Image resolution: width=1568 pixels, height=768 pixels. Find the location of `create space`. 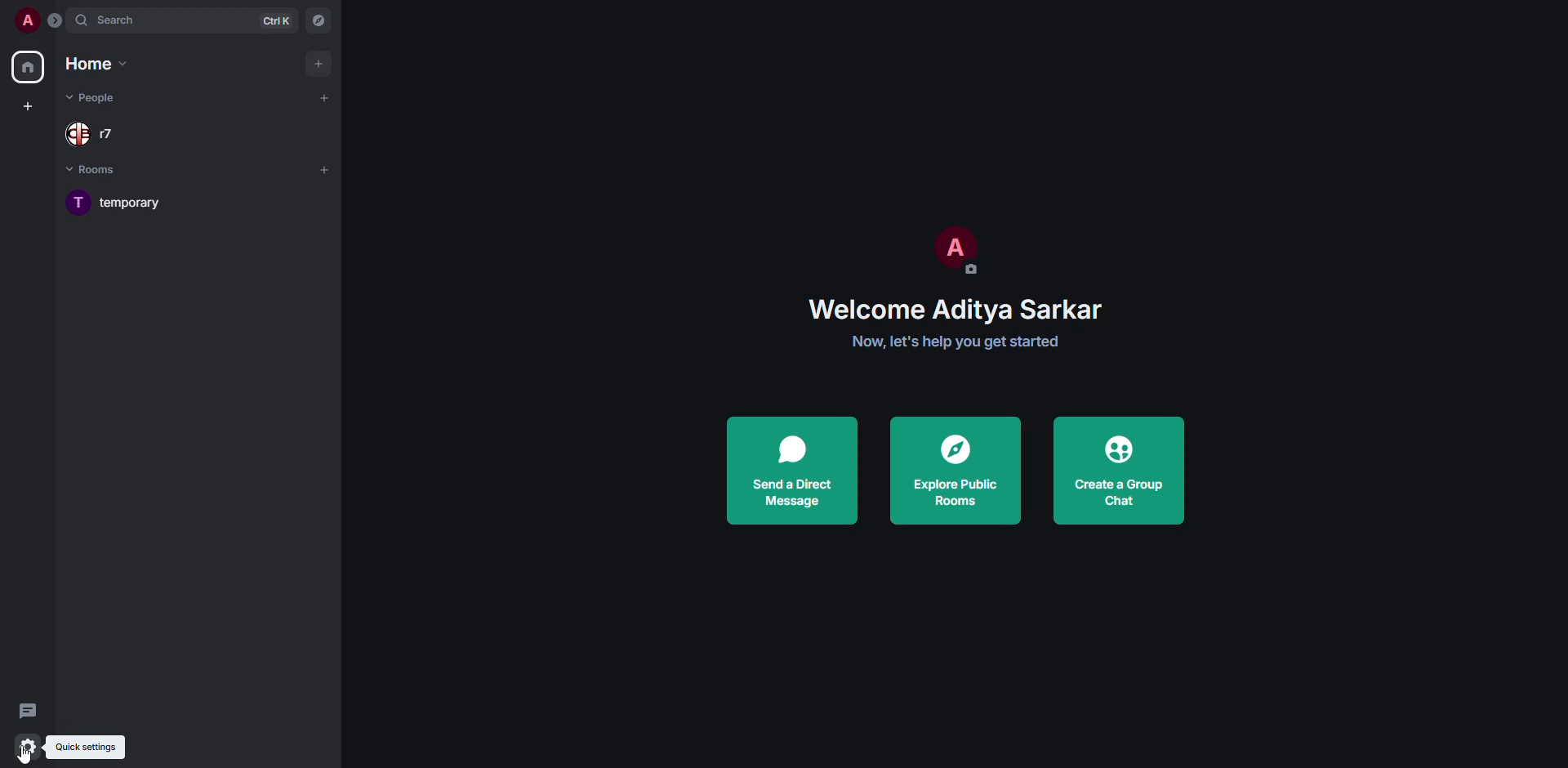

create space is located at coordinates (28, 105).